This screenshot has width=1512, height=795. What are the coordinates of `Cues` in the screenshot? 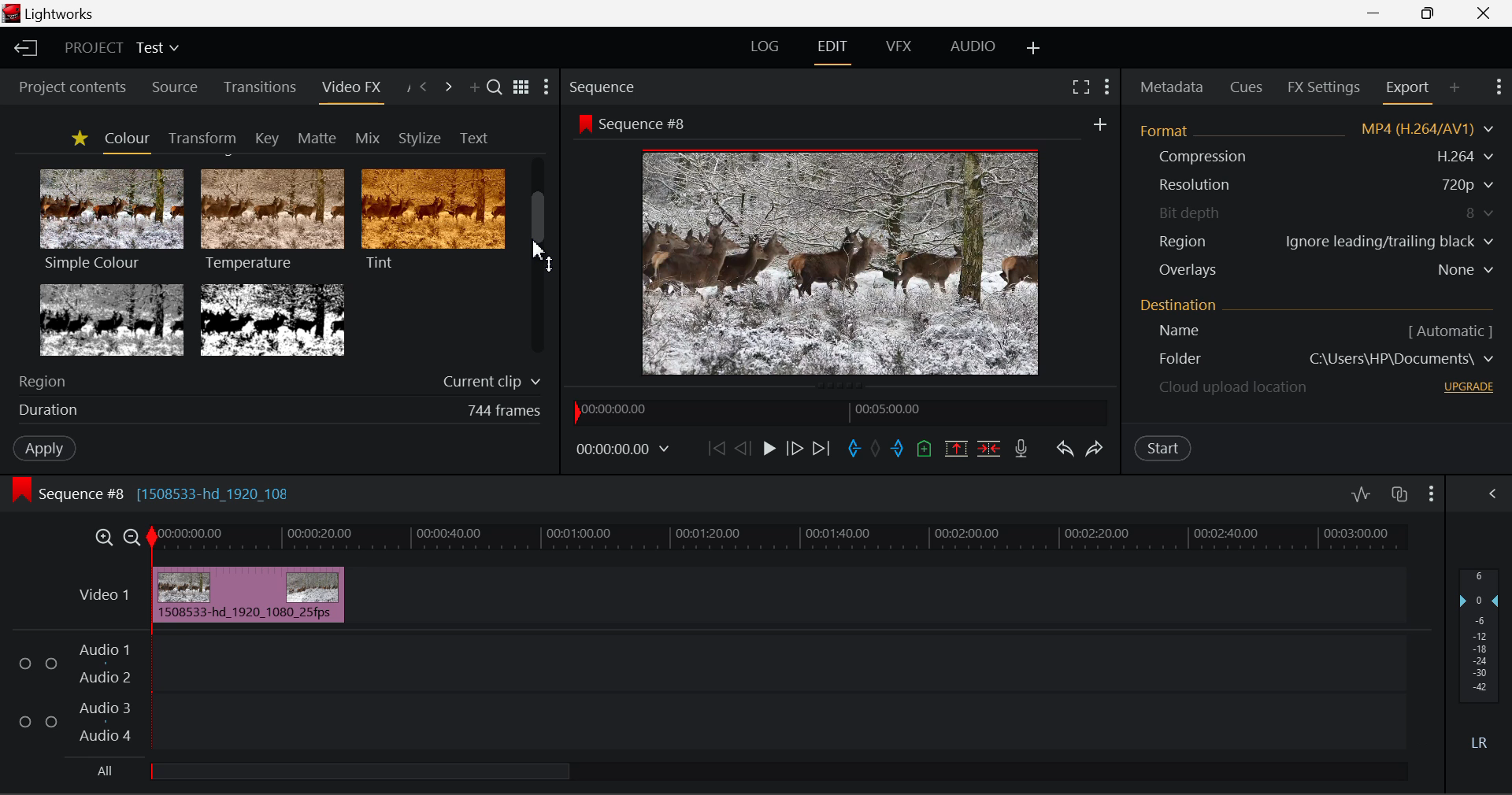 It's located at (1247, 86).